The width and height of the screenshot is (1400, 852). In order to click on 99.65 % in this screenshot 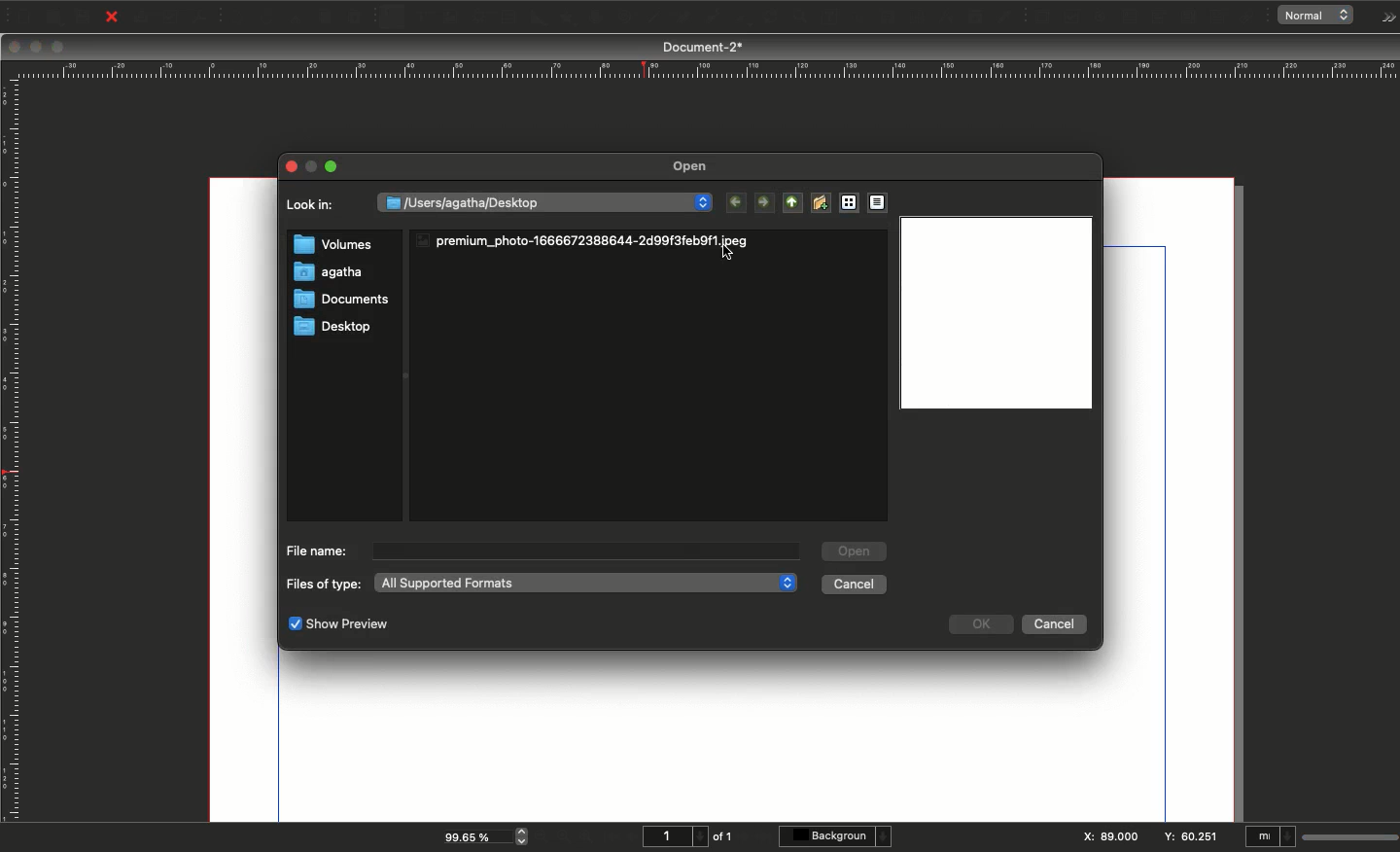, I will do `click(472, 835)`.